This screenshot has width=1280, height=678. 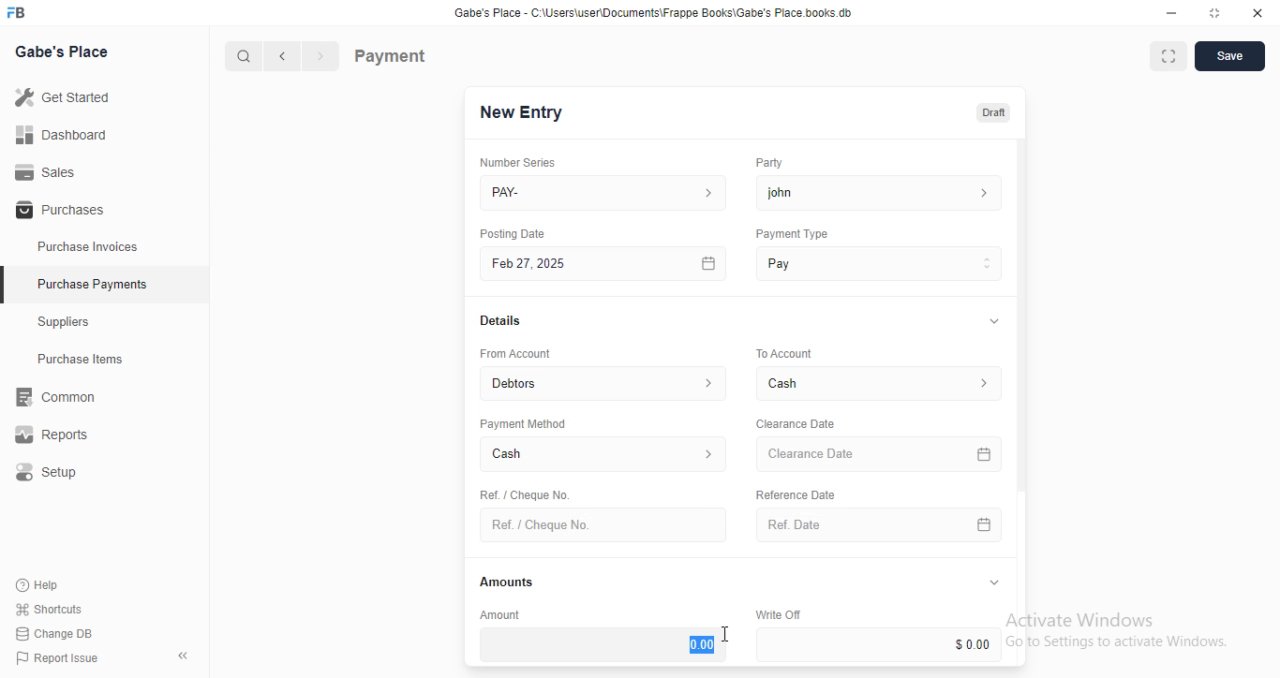 I want to click on Purchase Invoices, so click(x=88, y=247).